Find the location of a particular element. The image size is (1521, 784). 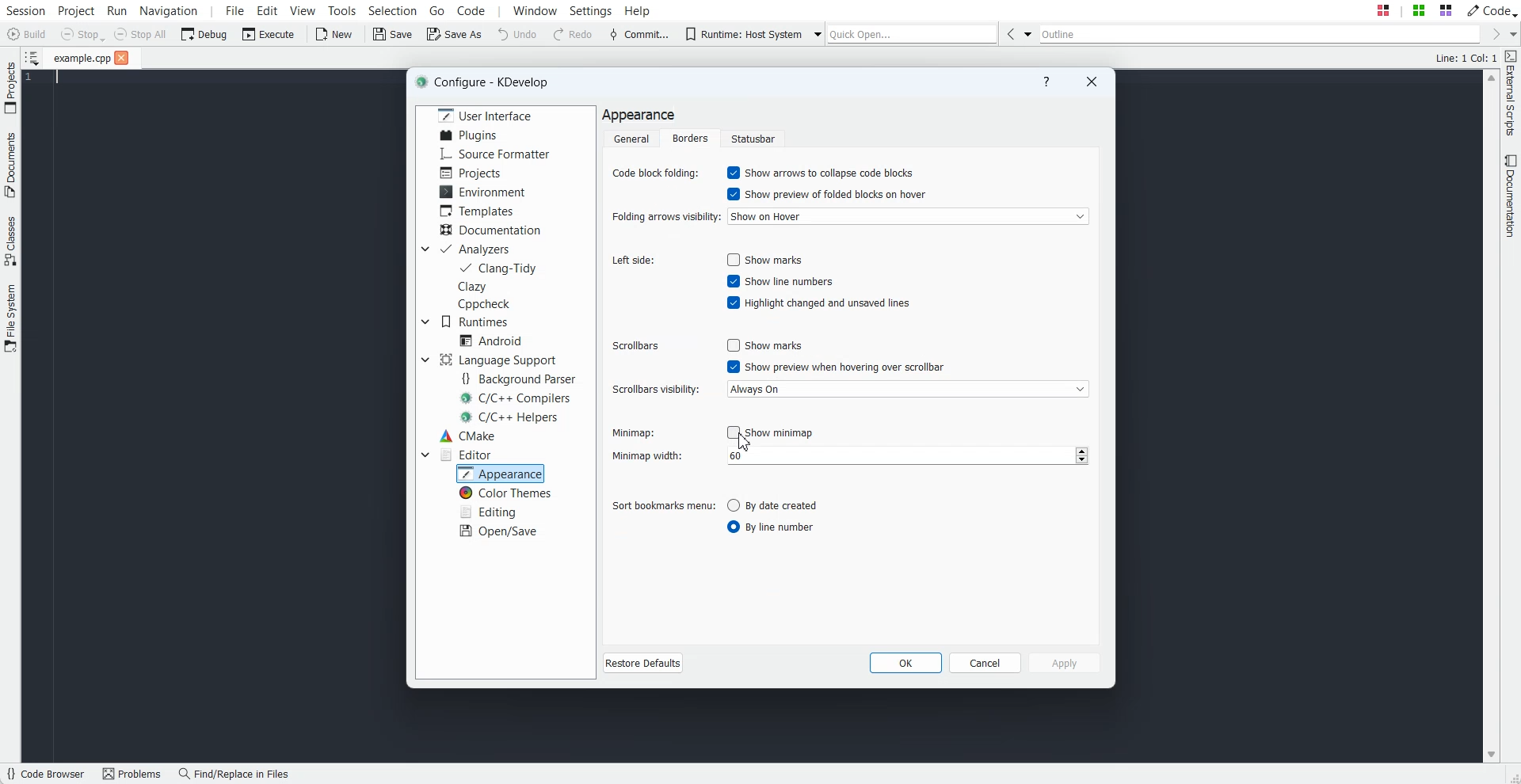

Scrollbars is located at coordinates (635, 346).